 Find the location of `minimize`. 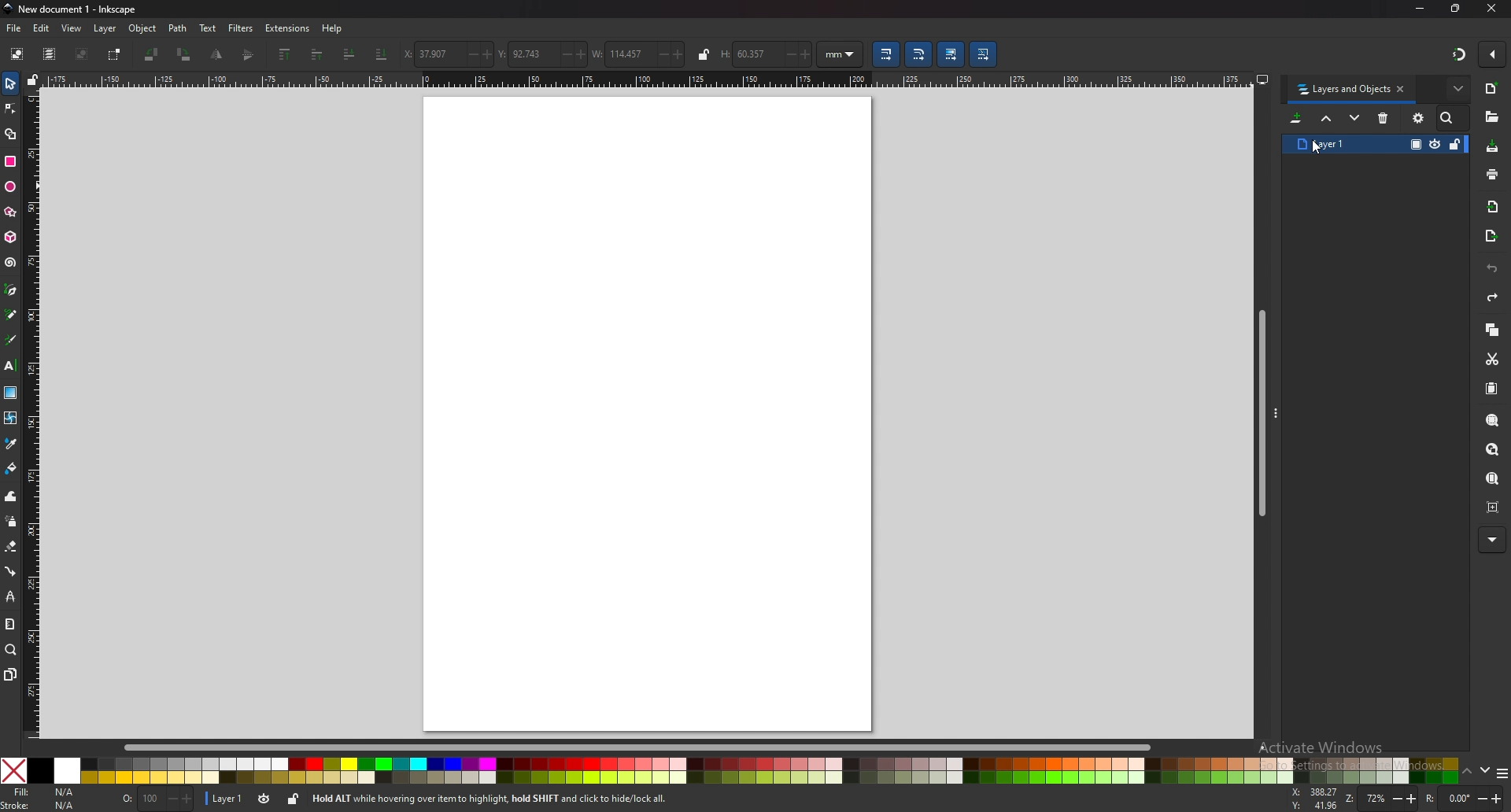

minimize is located at coordinates (1421, 8).